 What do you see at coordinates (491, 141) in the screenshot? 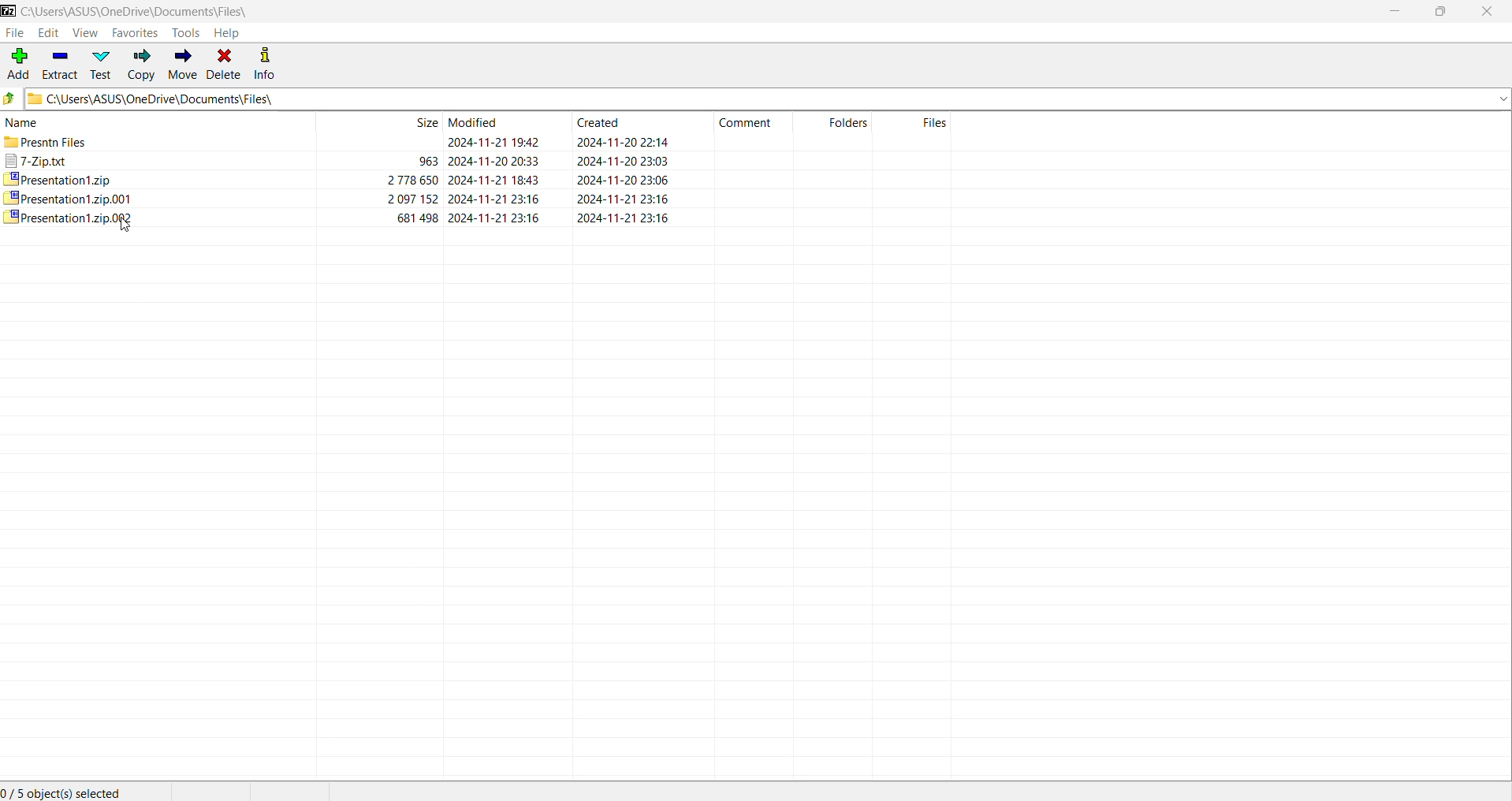
I see `2024-11-21 1942` at bounding box center [491, 141].